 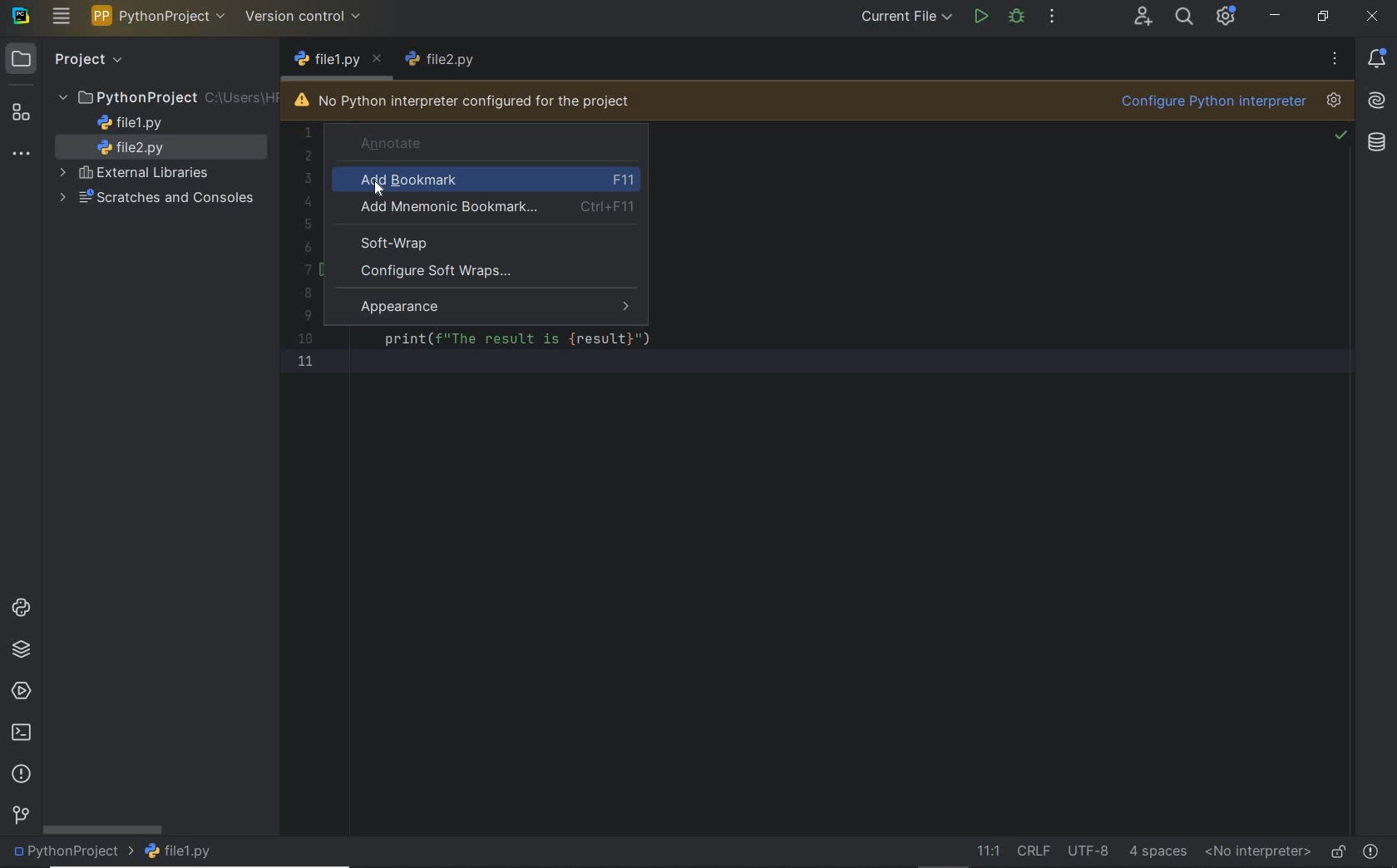 I want to click on file encoding, so click(x=1089, y=850).